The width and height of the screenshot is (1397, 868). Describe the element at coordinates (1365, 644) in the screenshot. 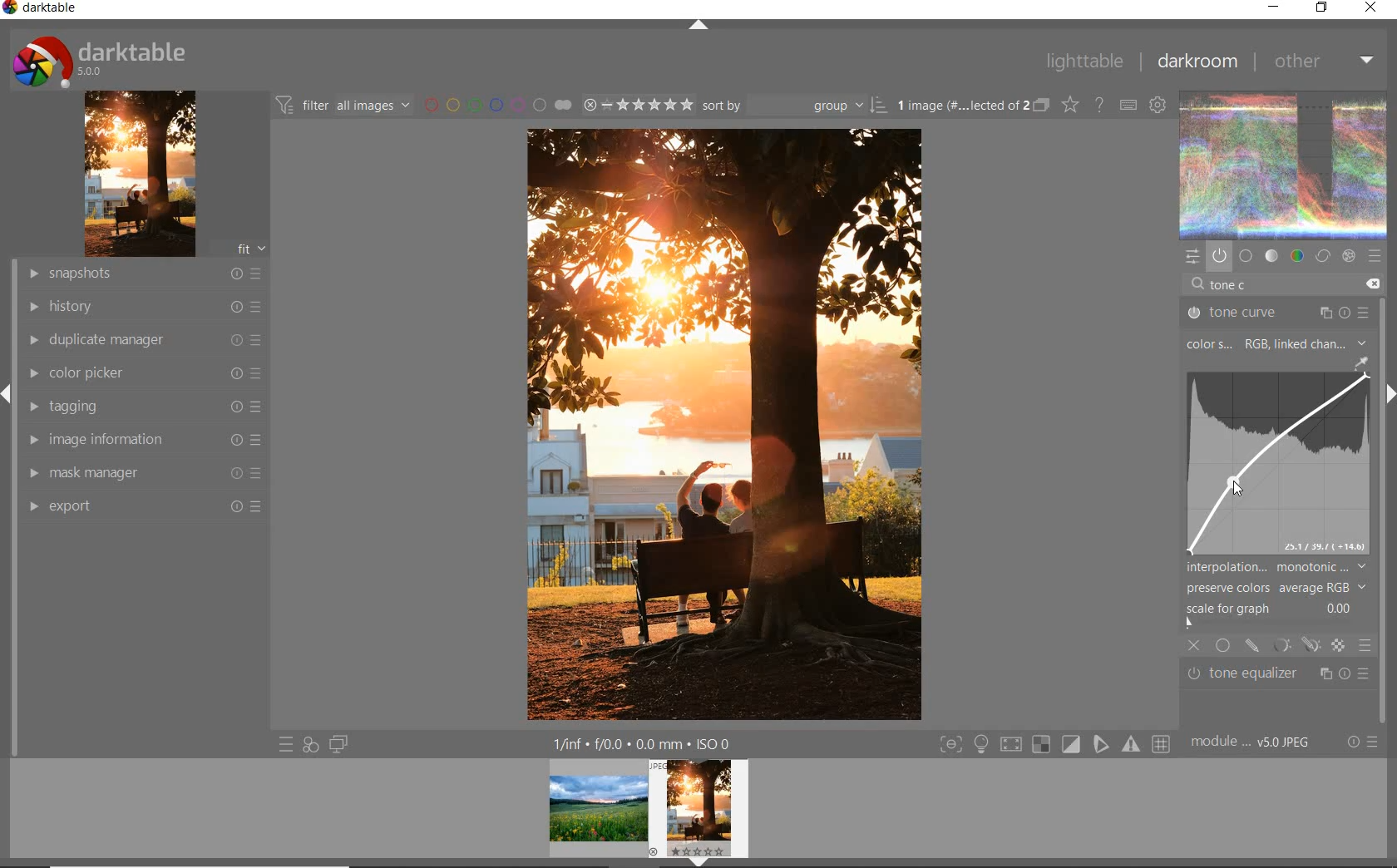

I see `blending options` at that location.